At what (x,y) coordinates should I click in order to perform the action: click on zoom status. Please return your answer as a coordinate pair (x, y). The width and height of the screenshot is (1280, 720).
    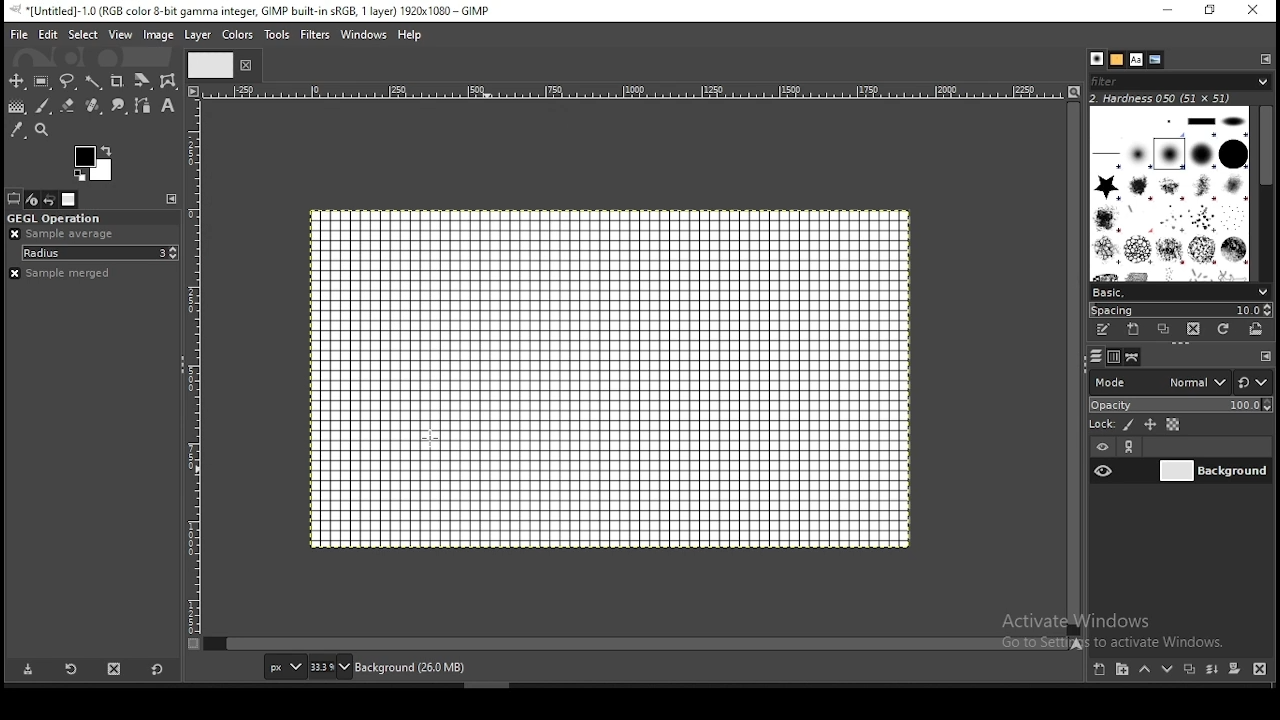
    Looking at the image, I should click on (331, 667).